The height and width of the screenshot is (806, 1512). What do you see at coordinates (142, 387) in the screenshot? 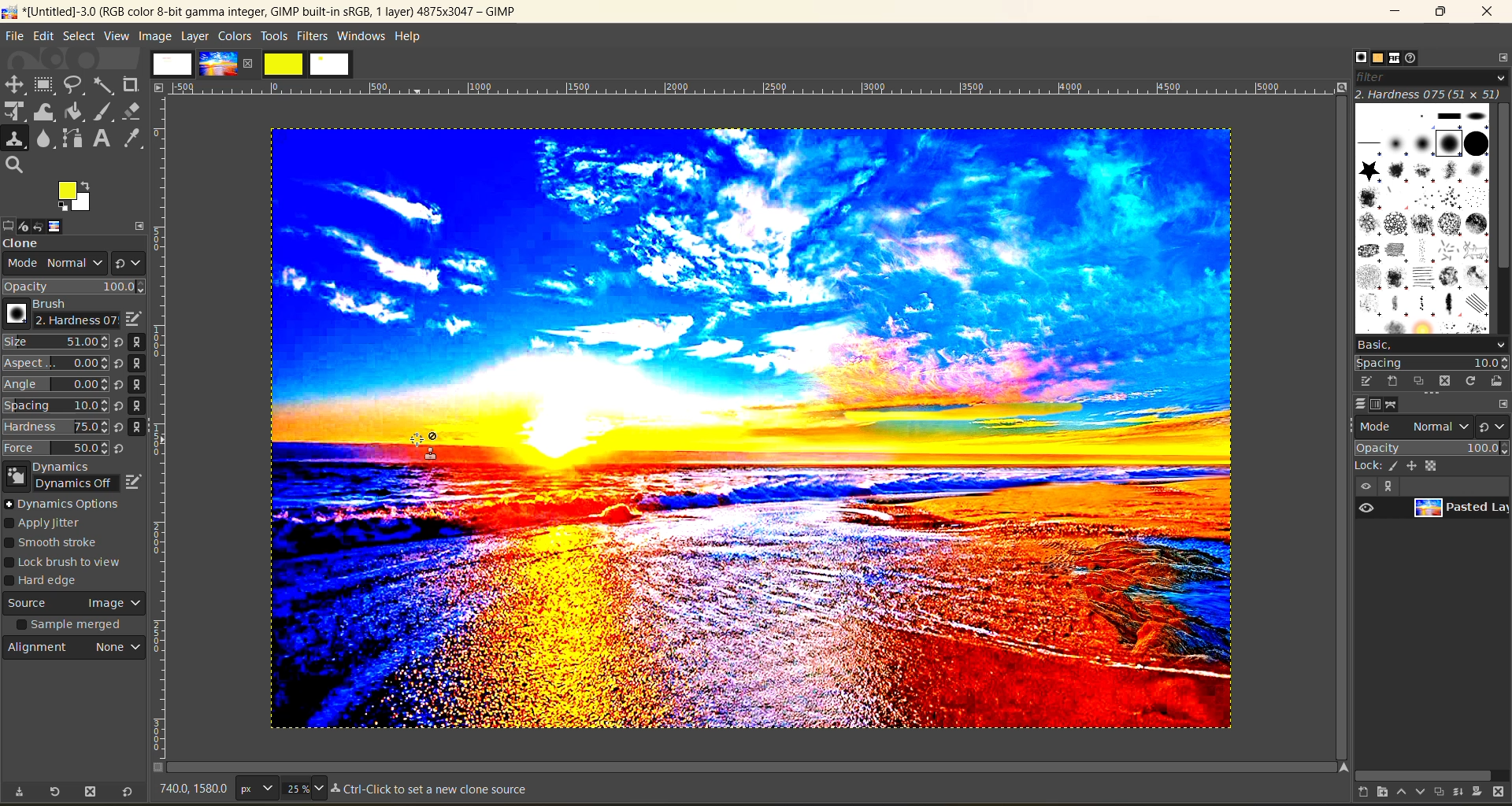
I see `link to brush` at bounding box center [142, 387].